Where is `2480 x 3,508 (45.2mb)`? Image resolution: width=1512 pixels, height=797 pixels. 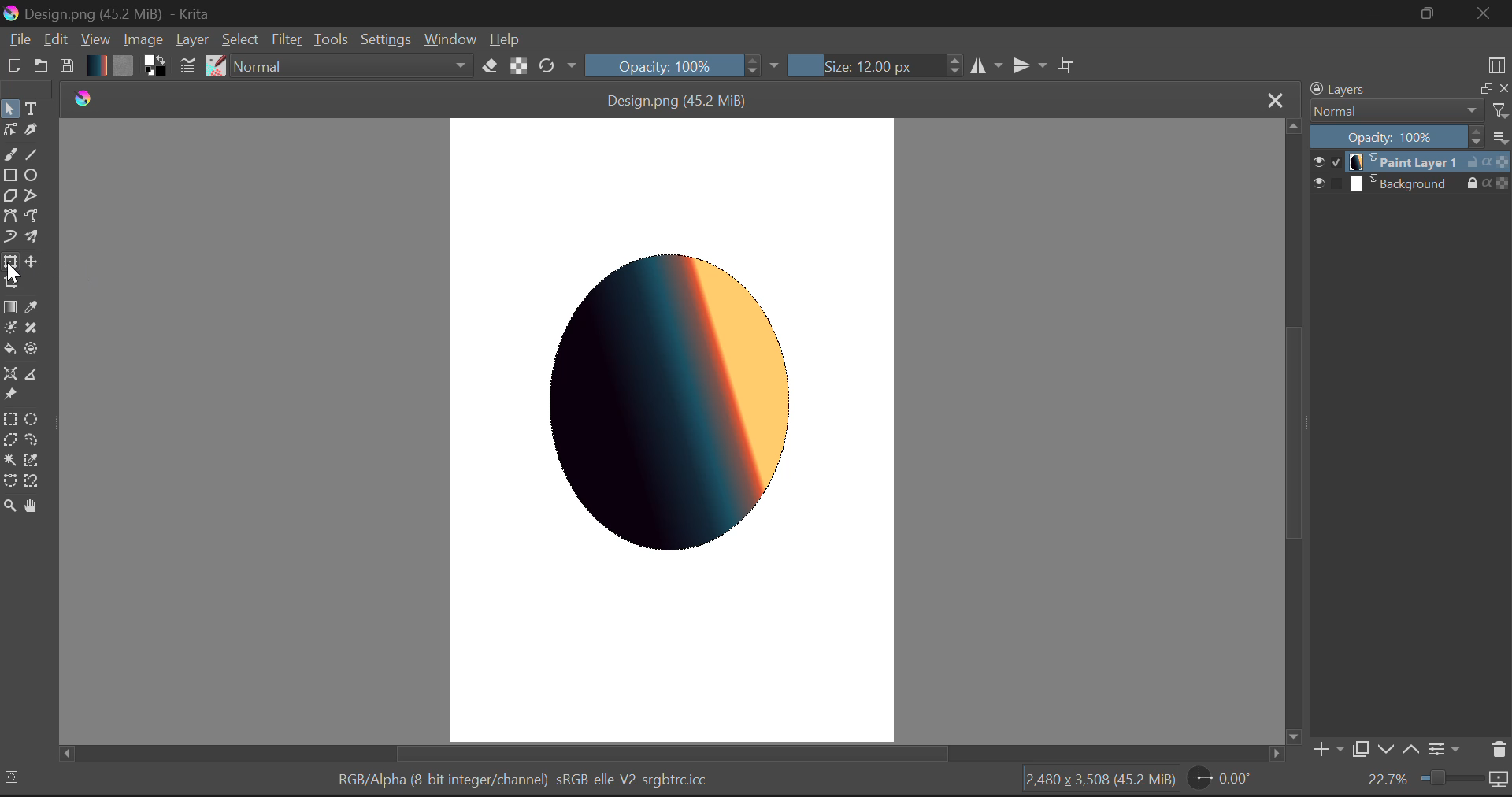 2480 x 3,508 (45.2mb) is located at coordinates (1099, 784).